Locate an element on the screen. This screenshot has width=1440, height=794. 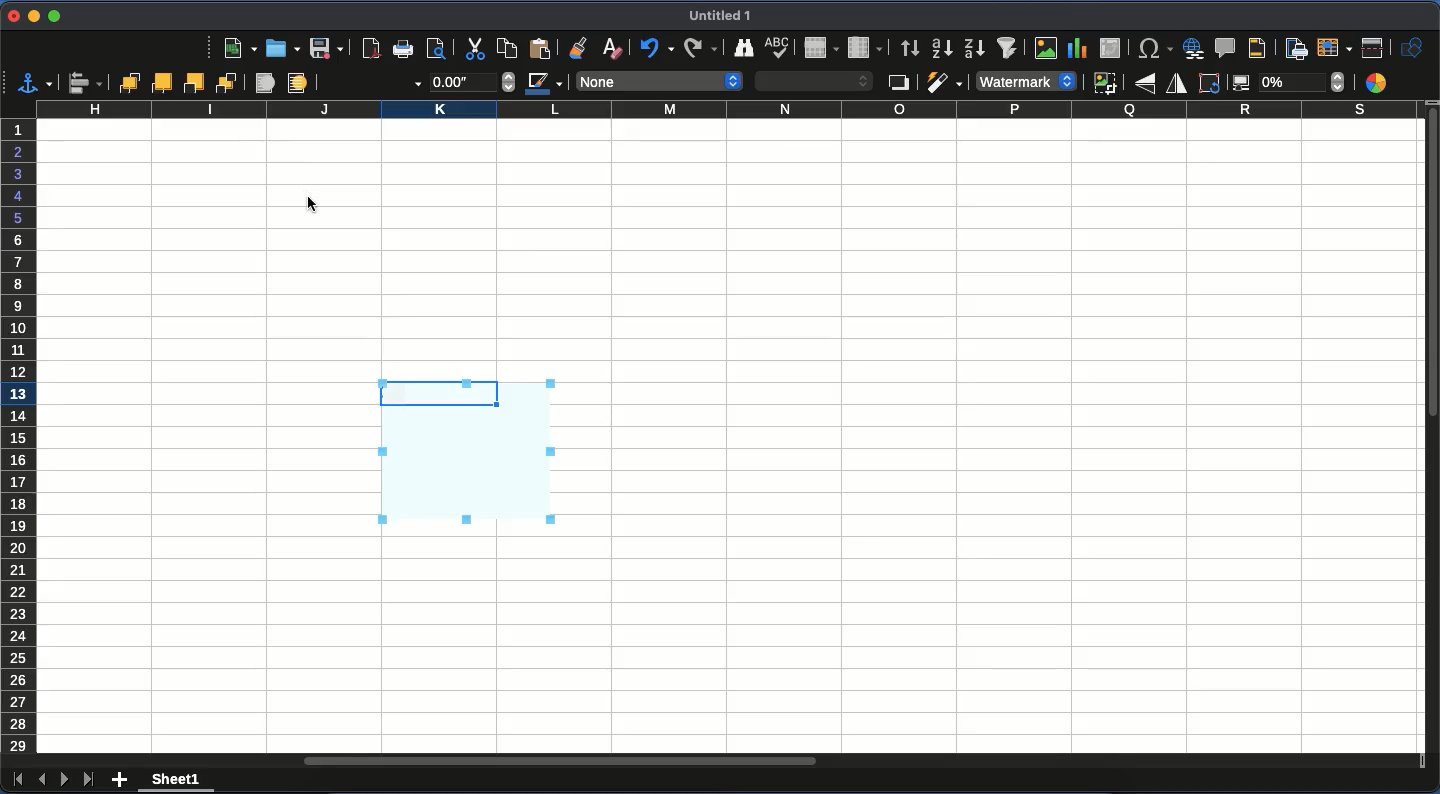
redo is located at coordinates (696, 47).